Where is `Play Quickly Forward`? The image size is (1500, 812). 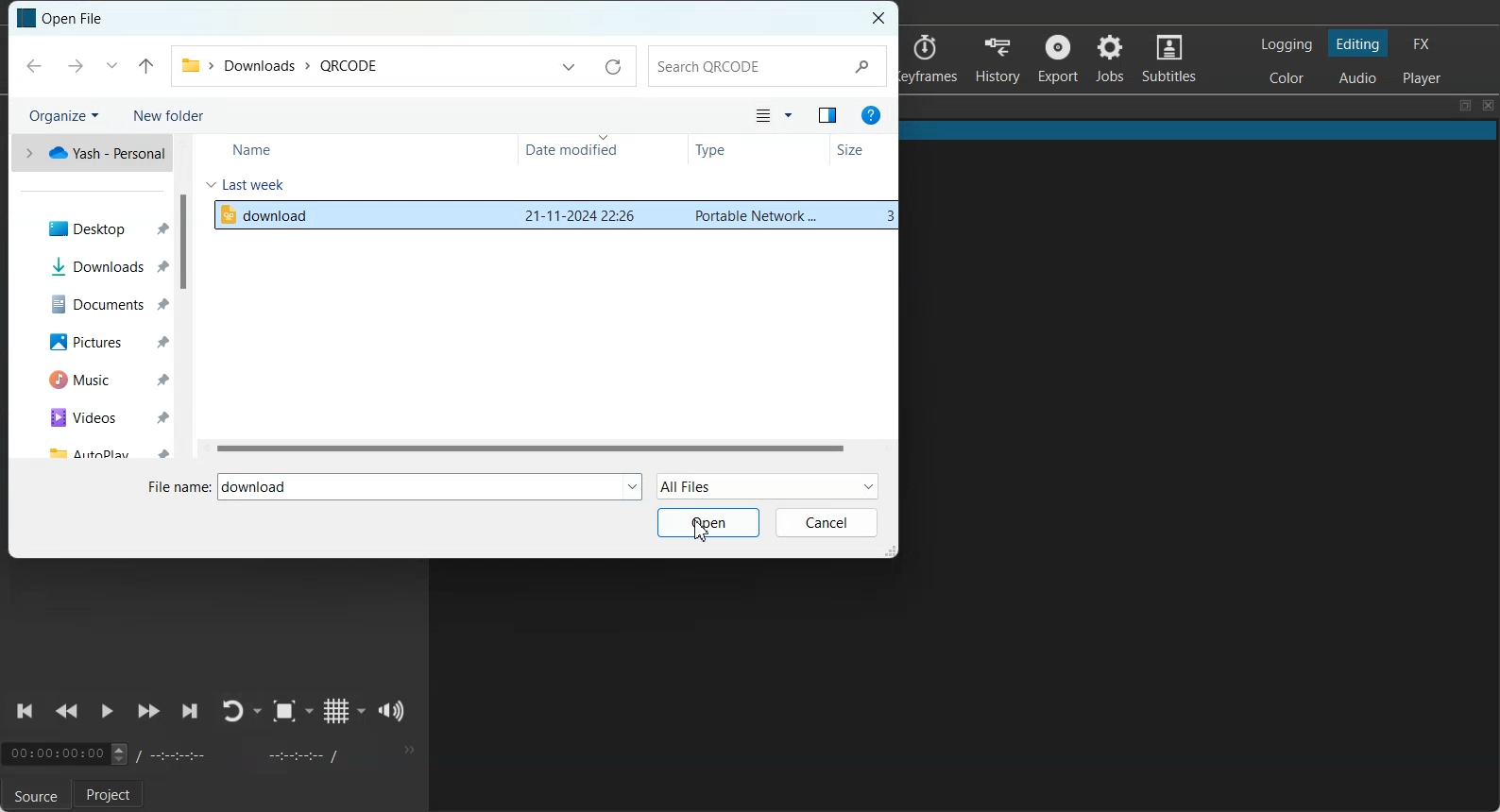 Play Quickly Forward is located at coordinates (148, 712).